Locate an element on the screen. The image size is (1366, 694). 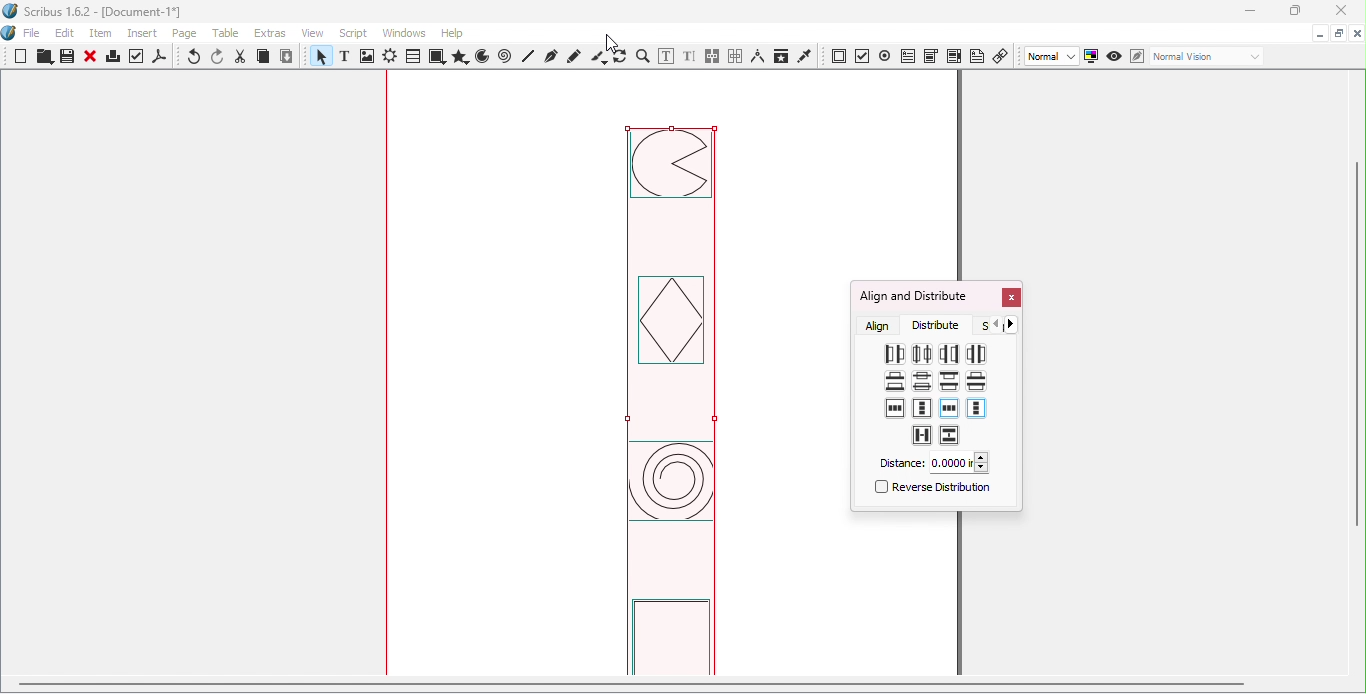
File is located at coordinates (32, 34).